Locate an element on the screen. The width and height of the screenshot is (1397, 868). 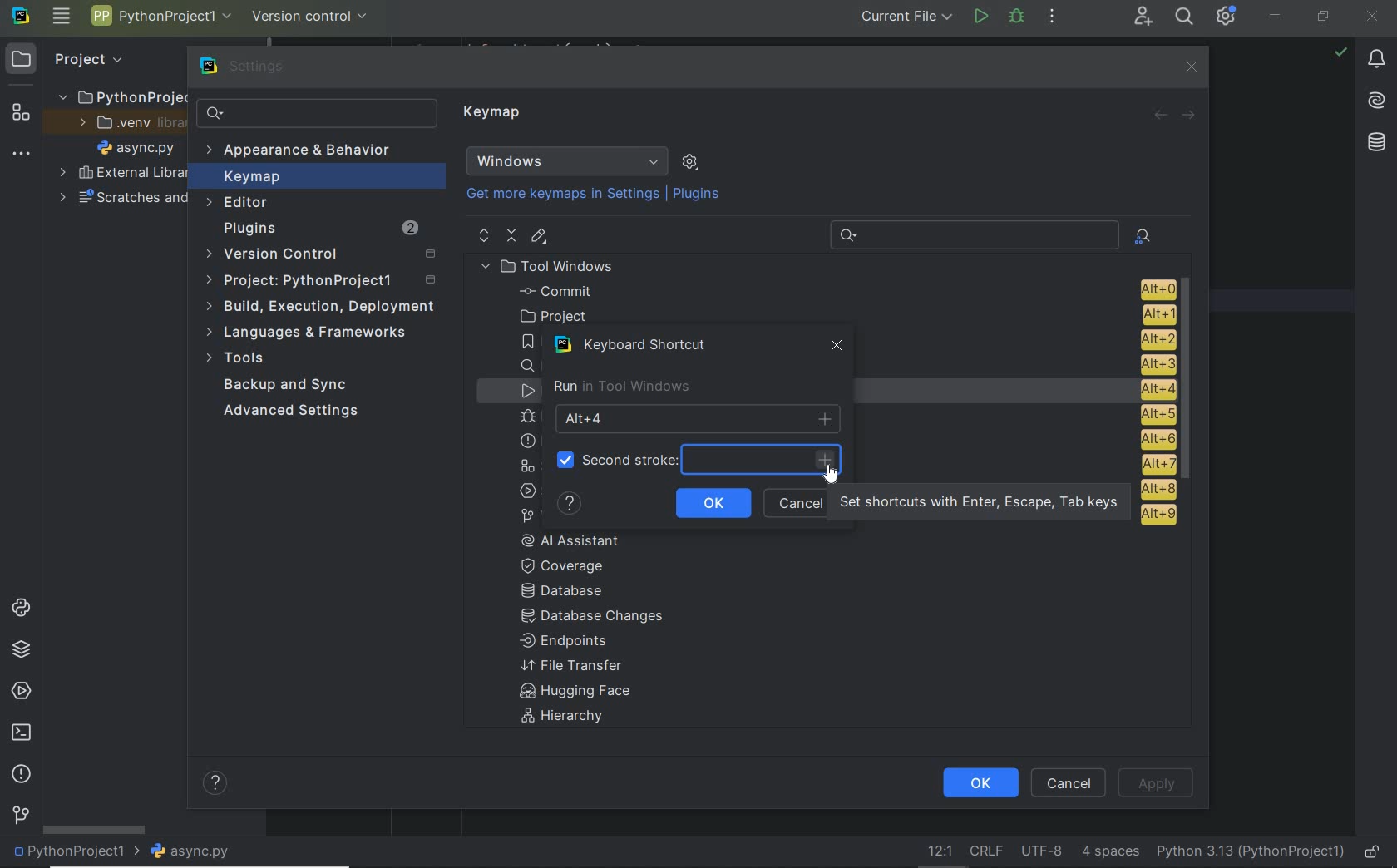
more actions is located at coordinates (1052, 17).